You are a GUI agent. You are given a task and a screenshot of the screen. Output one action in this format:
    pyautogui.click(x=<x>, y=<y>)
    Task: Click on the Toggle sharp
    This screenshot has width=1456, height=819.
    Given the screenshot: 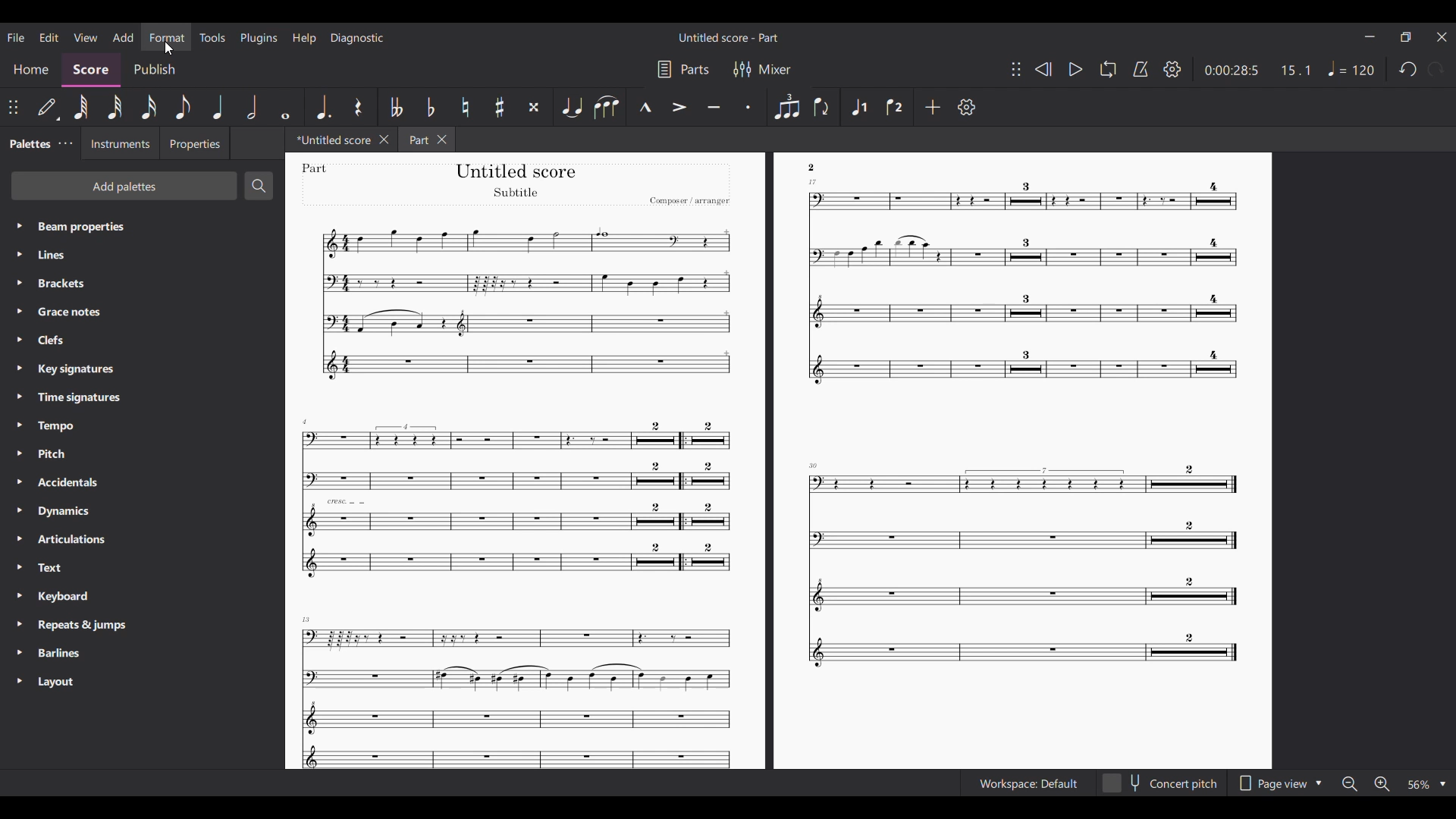 What is the action you would take?
    pyautogui.click(x=500, y=107)
    